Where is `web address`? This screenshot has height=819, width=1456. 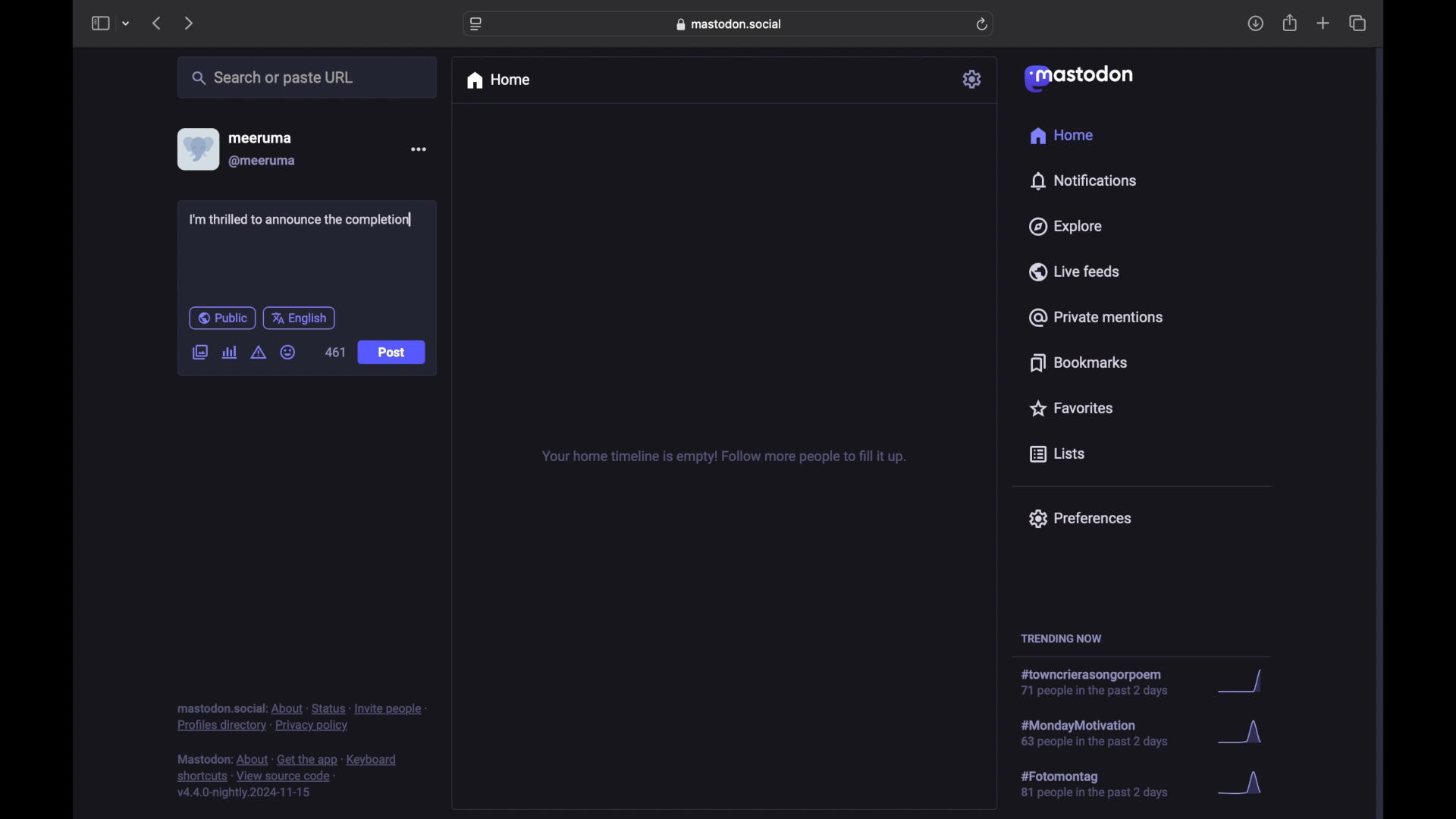 web address is located at coordinates (730, 24).